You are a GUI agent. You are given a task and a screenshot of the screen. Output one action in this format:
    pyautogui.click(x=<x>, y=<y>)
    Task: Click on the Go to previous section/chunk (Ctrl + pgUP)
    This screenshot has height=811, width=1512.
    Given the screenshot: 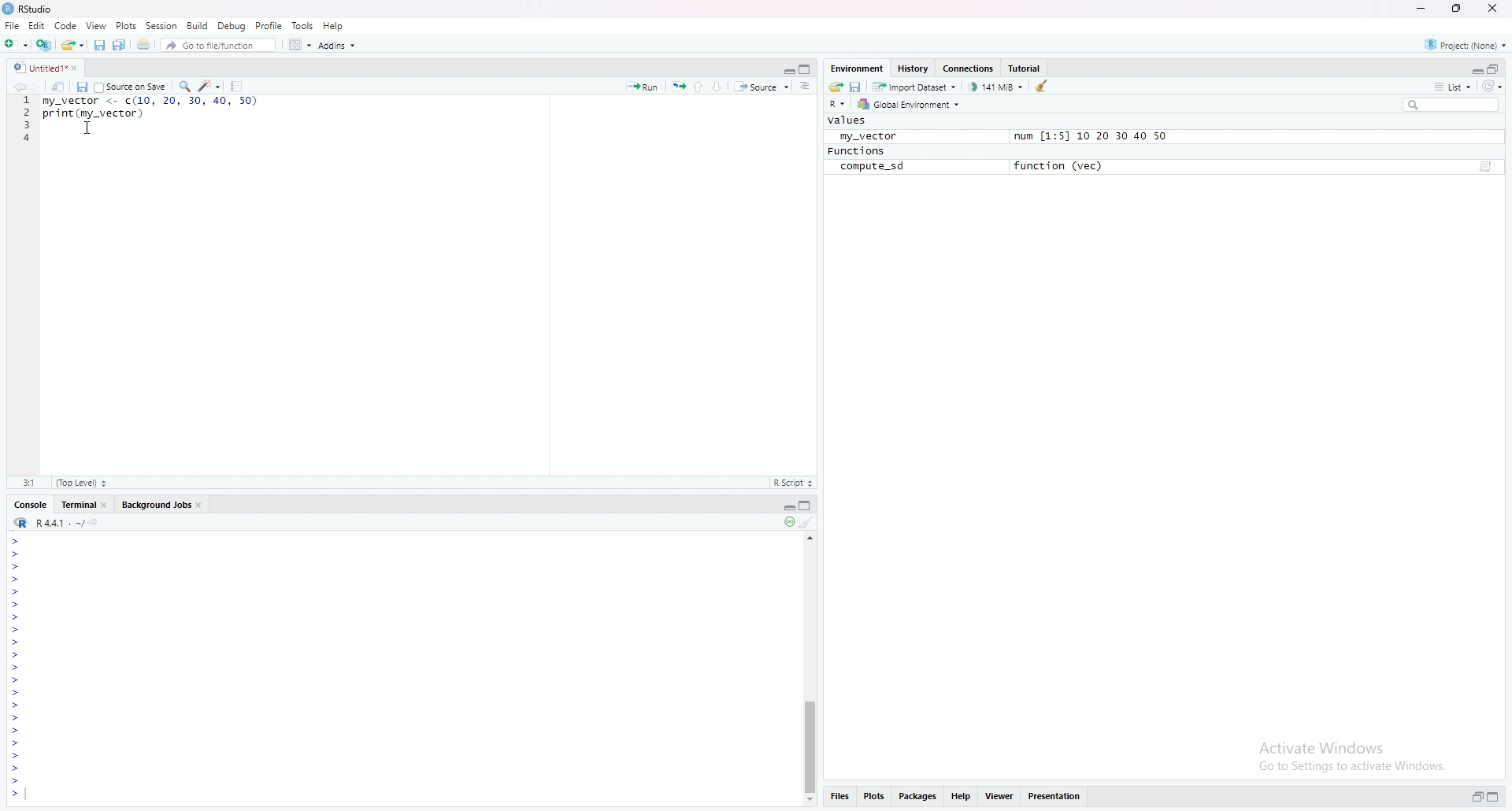 What is the action you would take?
    pyautogui.click(x=699, y=85)
    